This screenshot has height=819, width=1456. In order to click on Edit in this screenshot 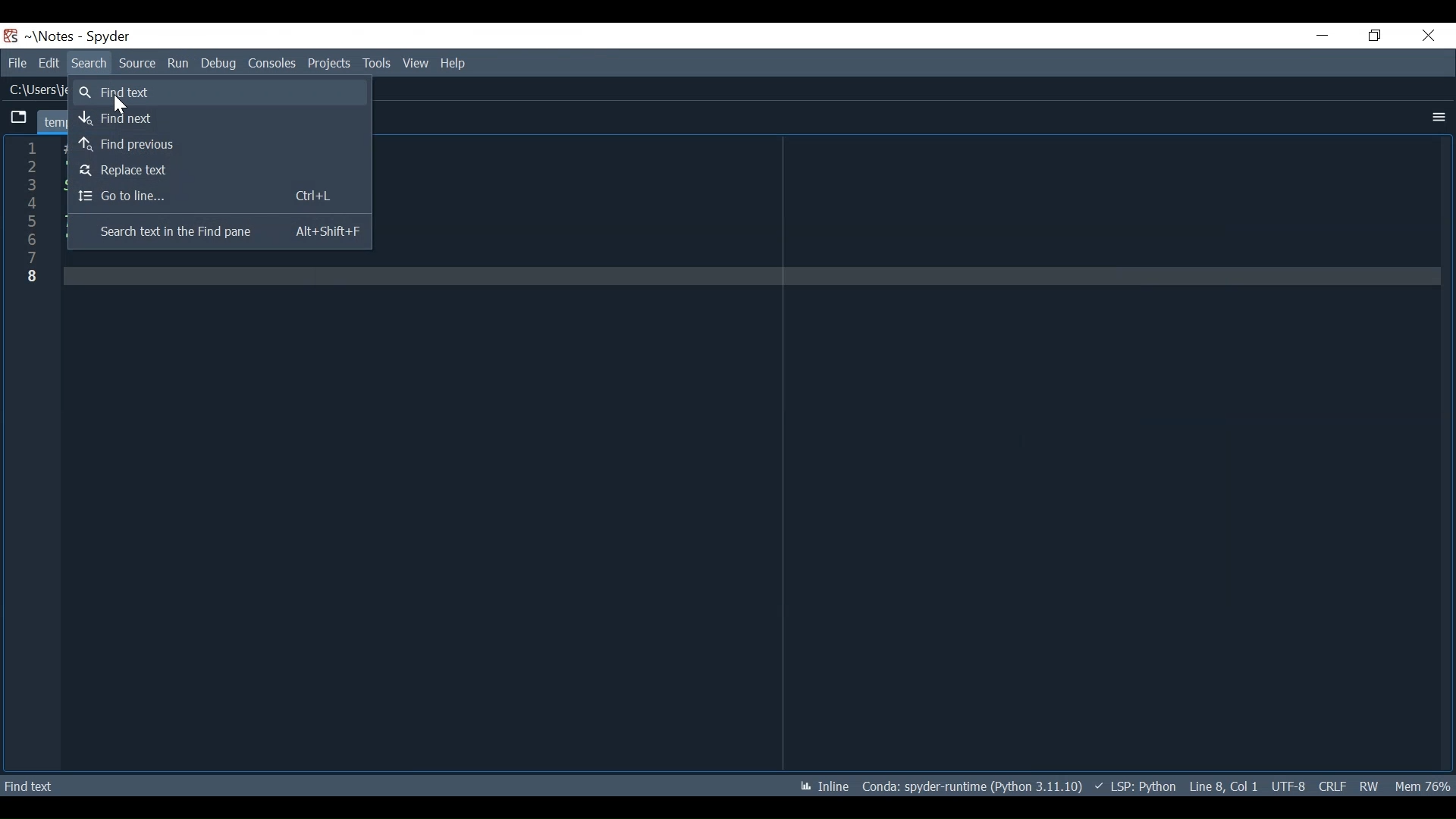, I will do `click(45, 63)`.